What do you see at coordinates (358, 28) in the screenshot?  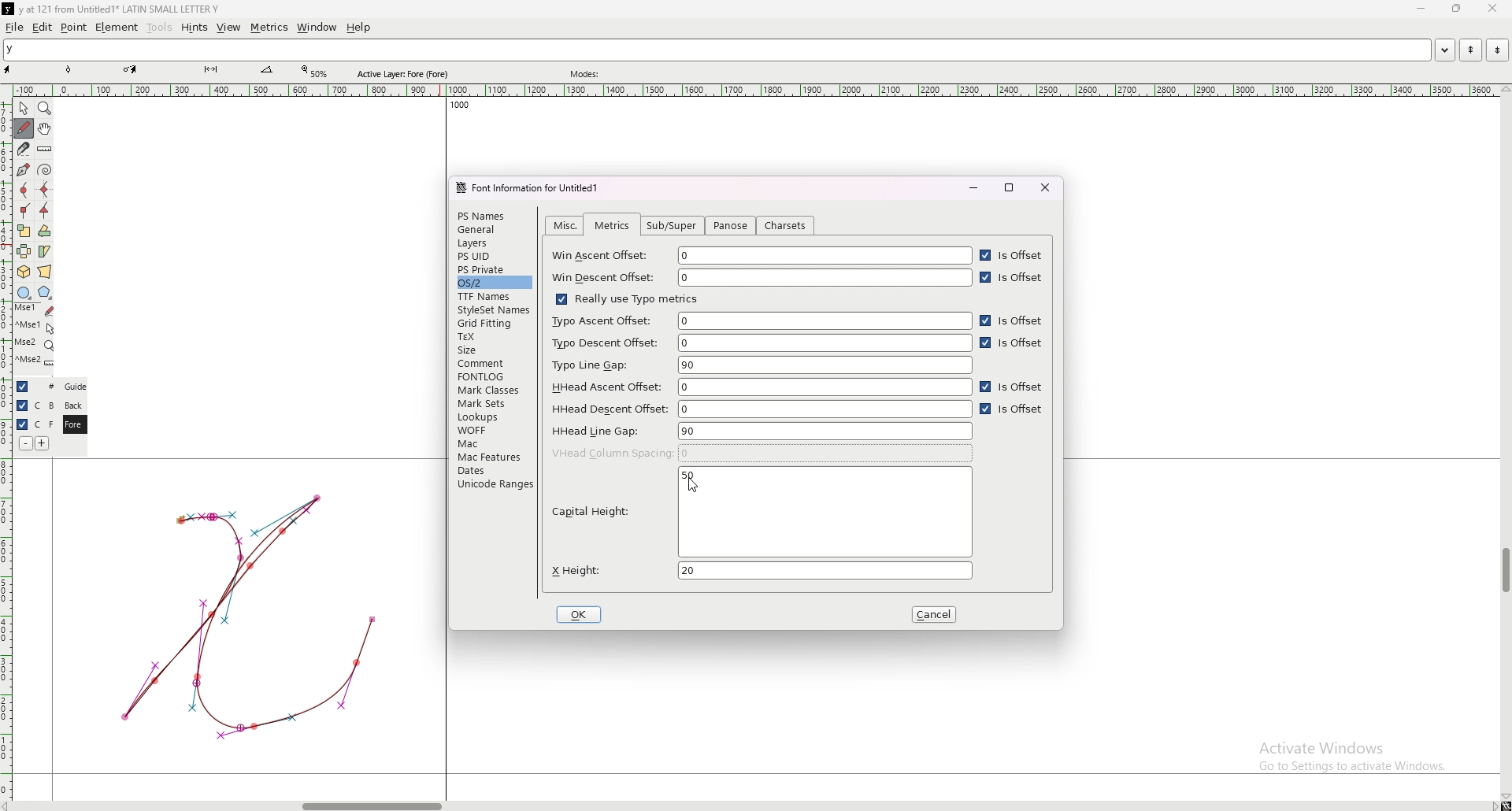 I see `help` at bounding box center [358, 28].